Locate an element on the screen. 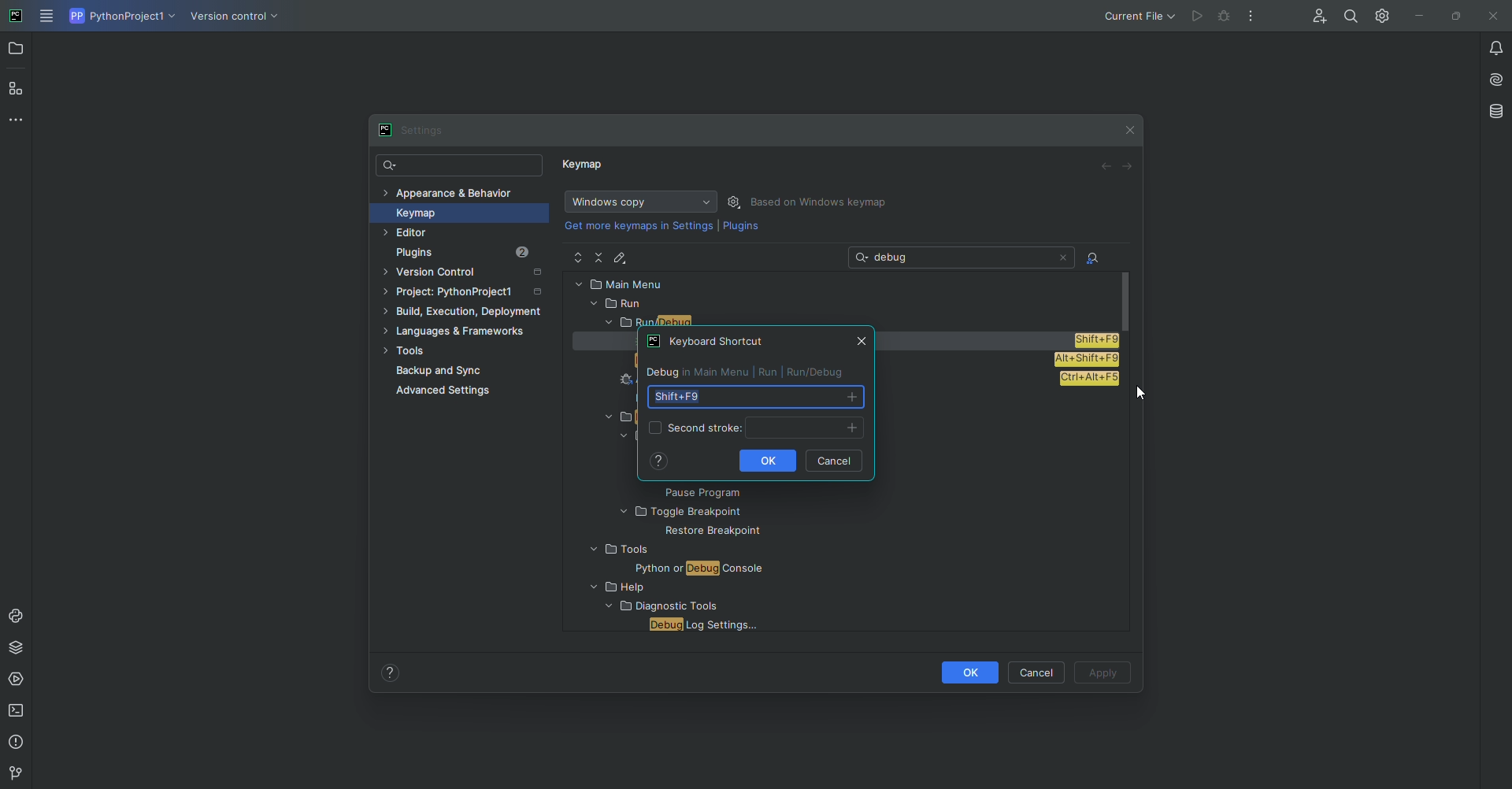 Image resolution: width=1512 pixels, height=789 pixels. Settings is located at coordinates (736, 202).